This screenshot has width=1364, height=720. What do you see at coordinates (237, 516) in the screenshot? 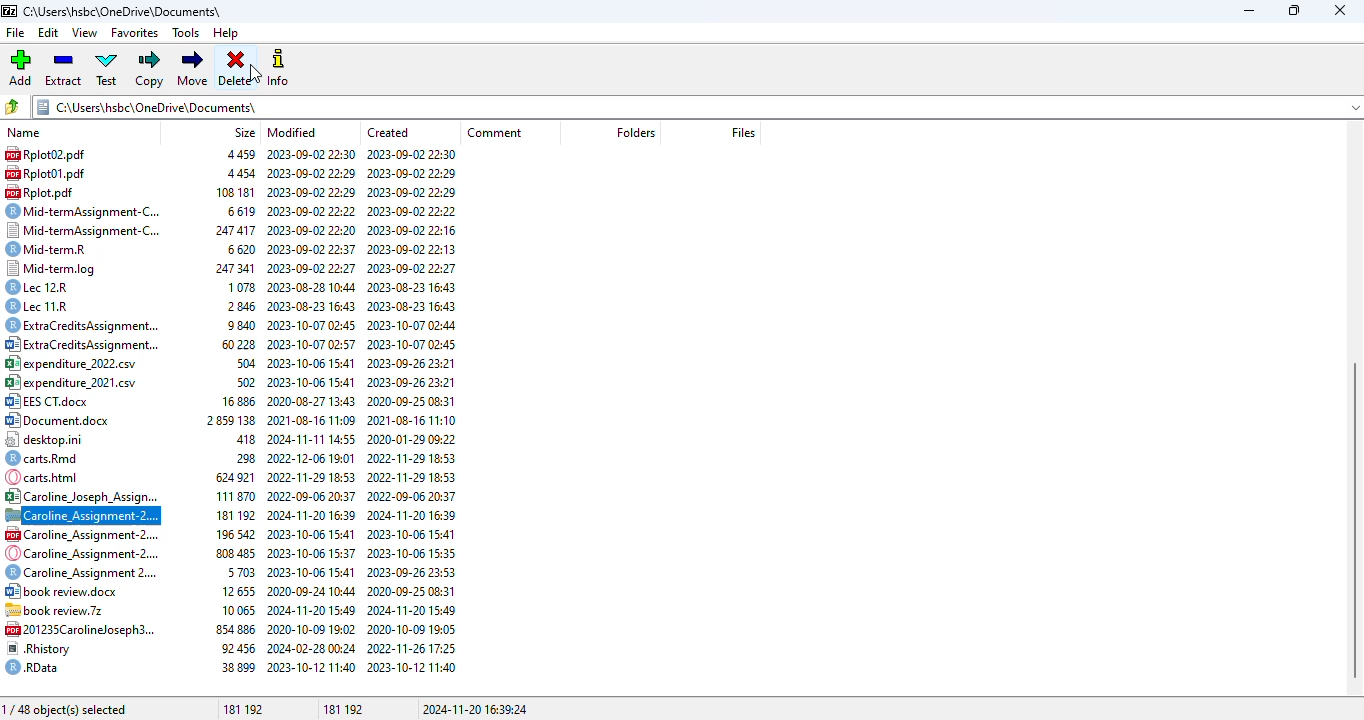
I see `181192` at bounding box center [237, 516].